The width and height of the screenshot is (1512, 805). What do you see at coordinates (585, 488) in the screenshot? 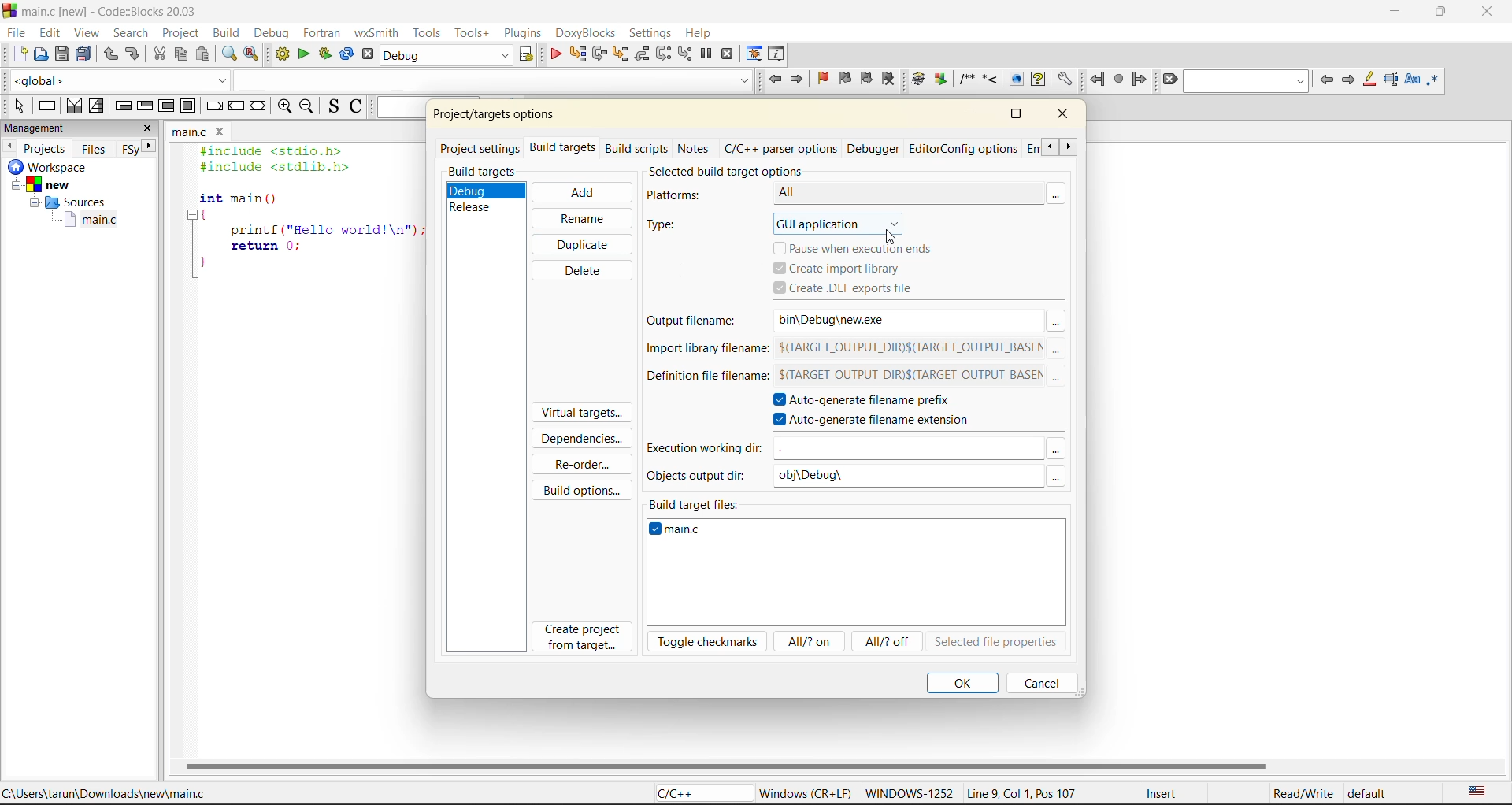
I see `build options` at bounding box center [585, 488].